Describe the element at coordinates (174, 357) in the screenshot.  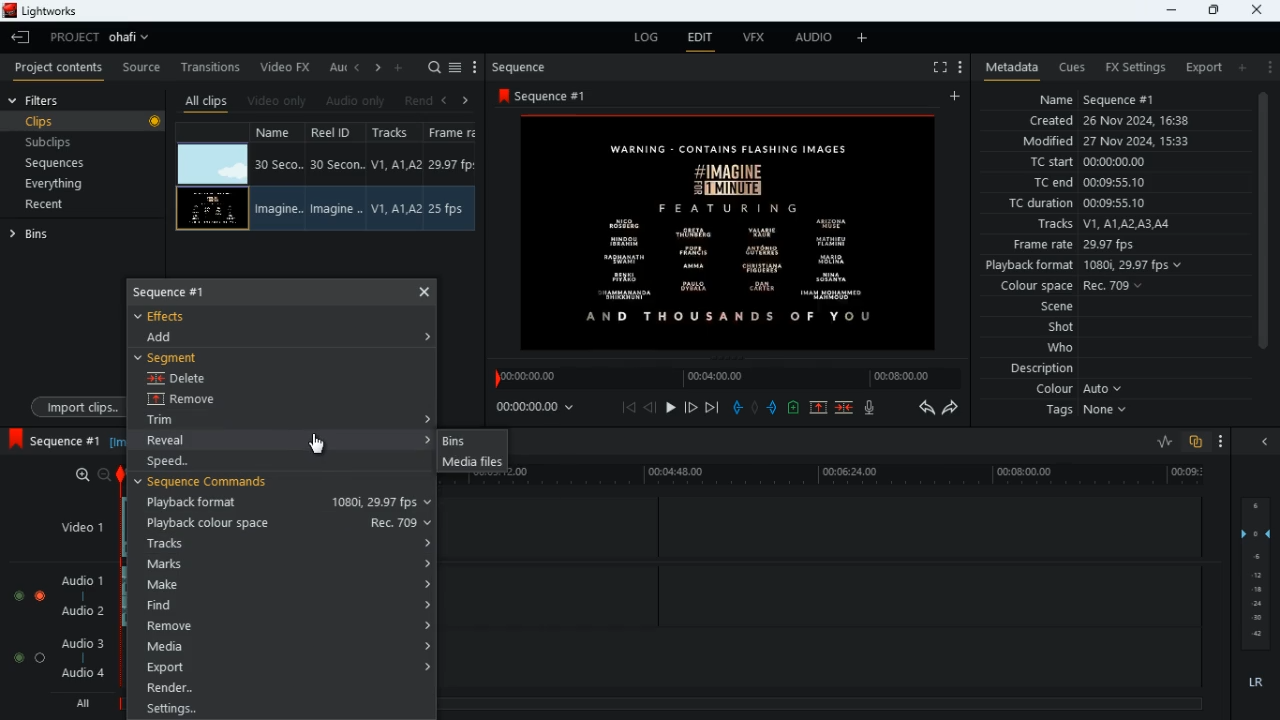
I see `segment` at that location.